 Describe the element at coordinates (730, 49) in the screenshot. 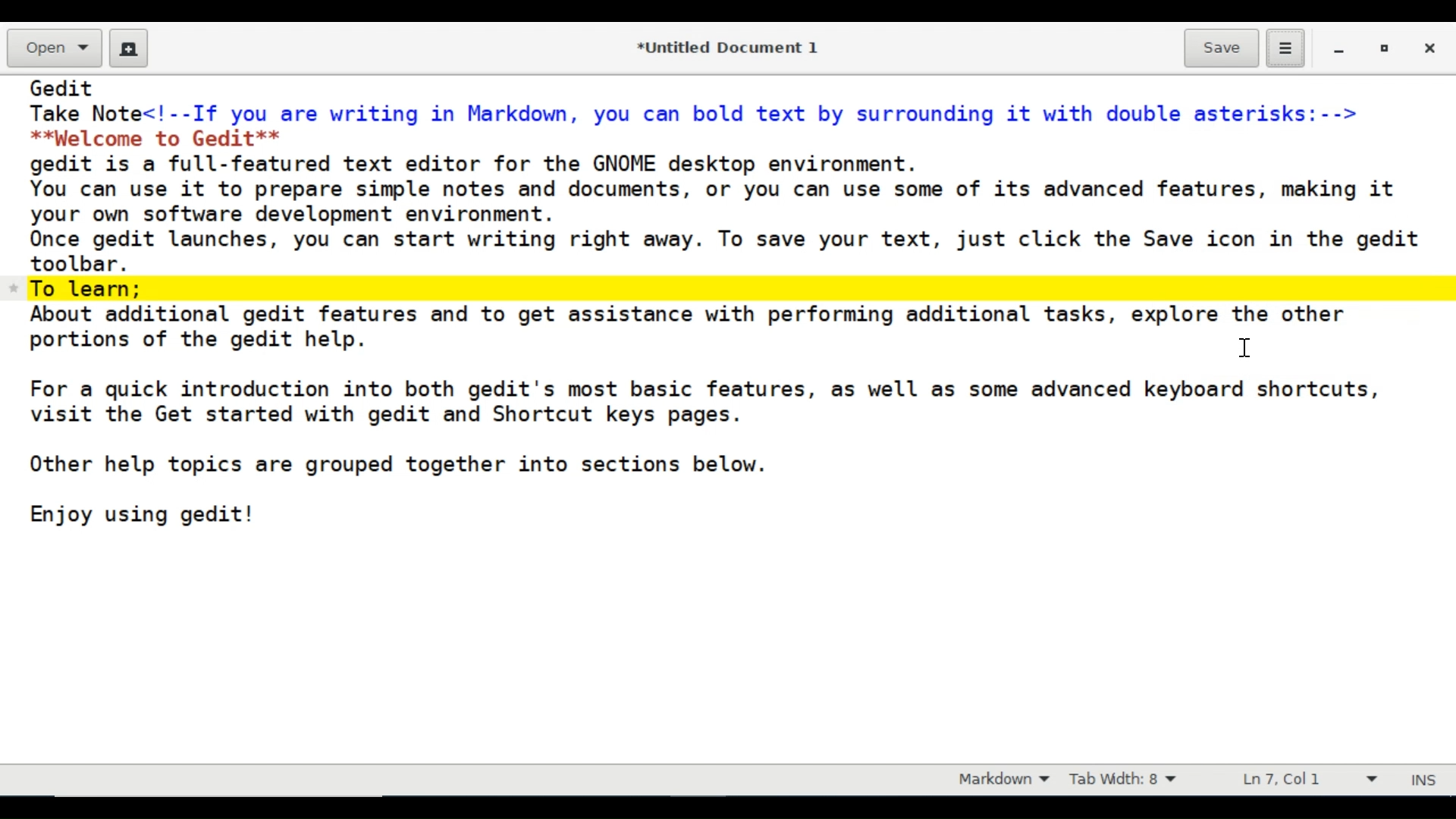

I see `*Untitled Document 1` at that location.